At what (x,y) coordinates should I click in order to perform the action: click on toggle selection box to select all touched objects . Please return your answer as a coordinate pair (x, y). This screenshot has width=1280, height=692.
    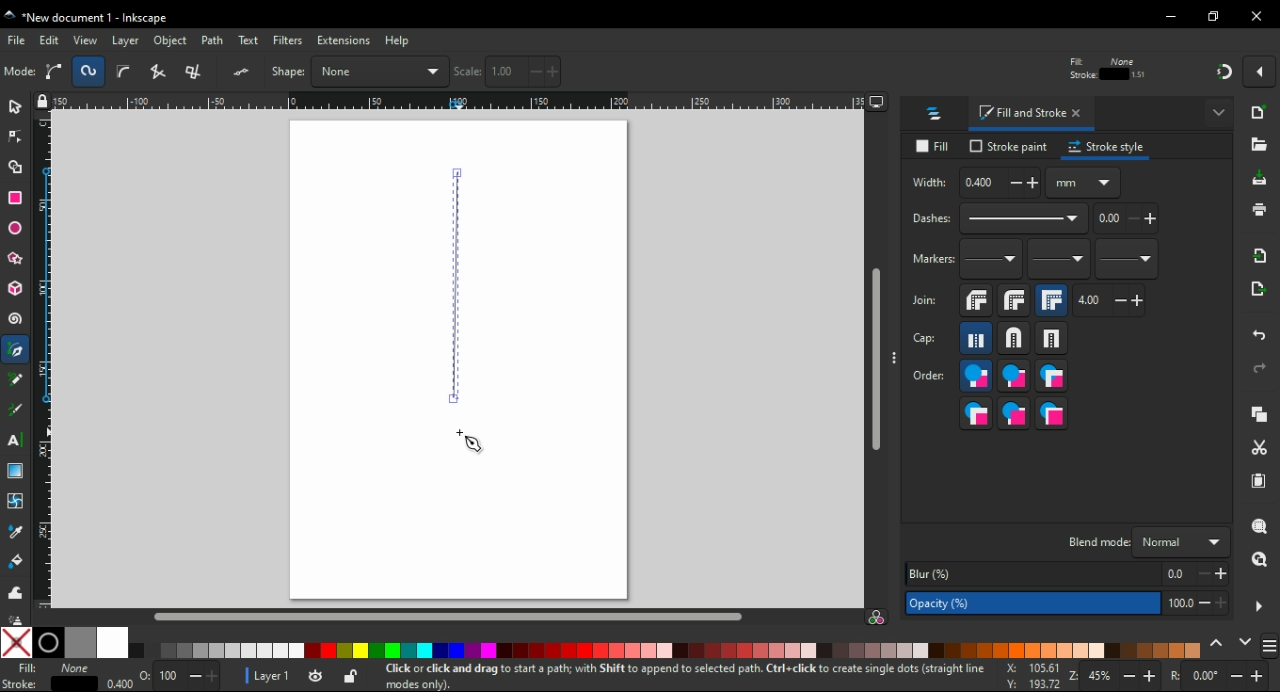
    Looking at the image, I should click on (124, 72).